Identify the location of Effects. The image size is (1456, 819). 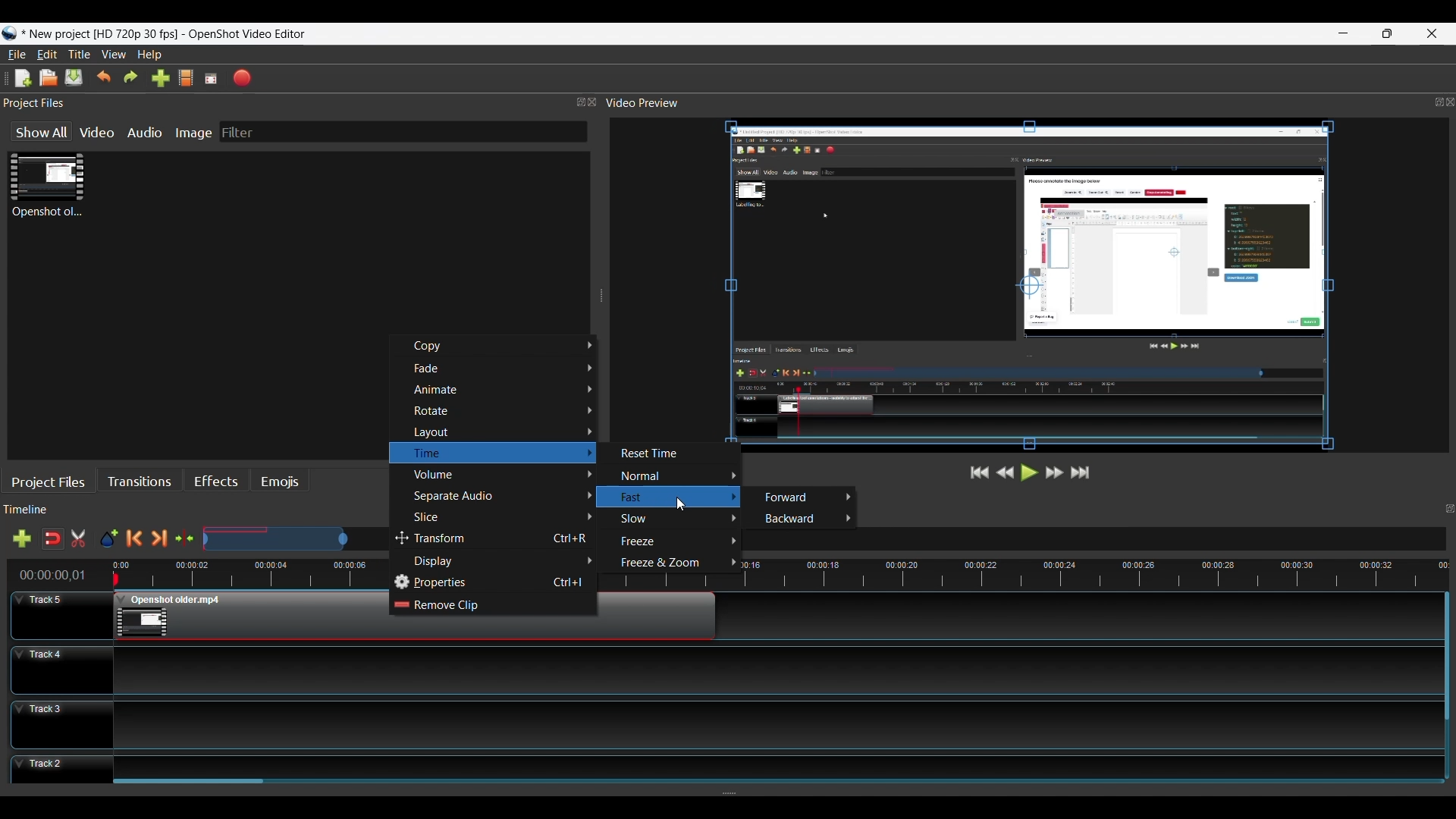
(216, 482).